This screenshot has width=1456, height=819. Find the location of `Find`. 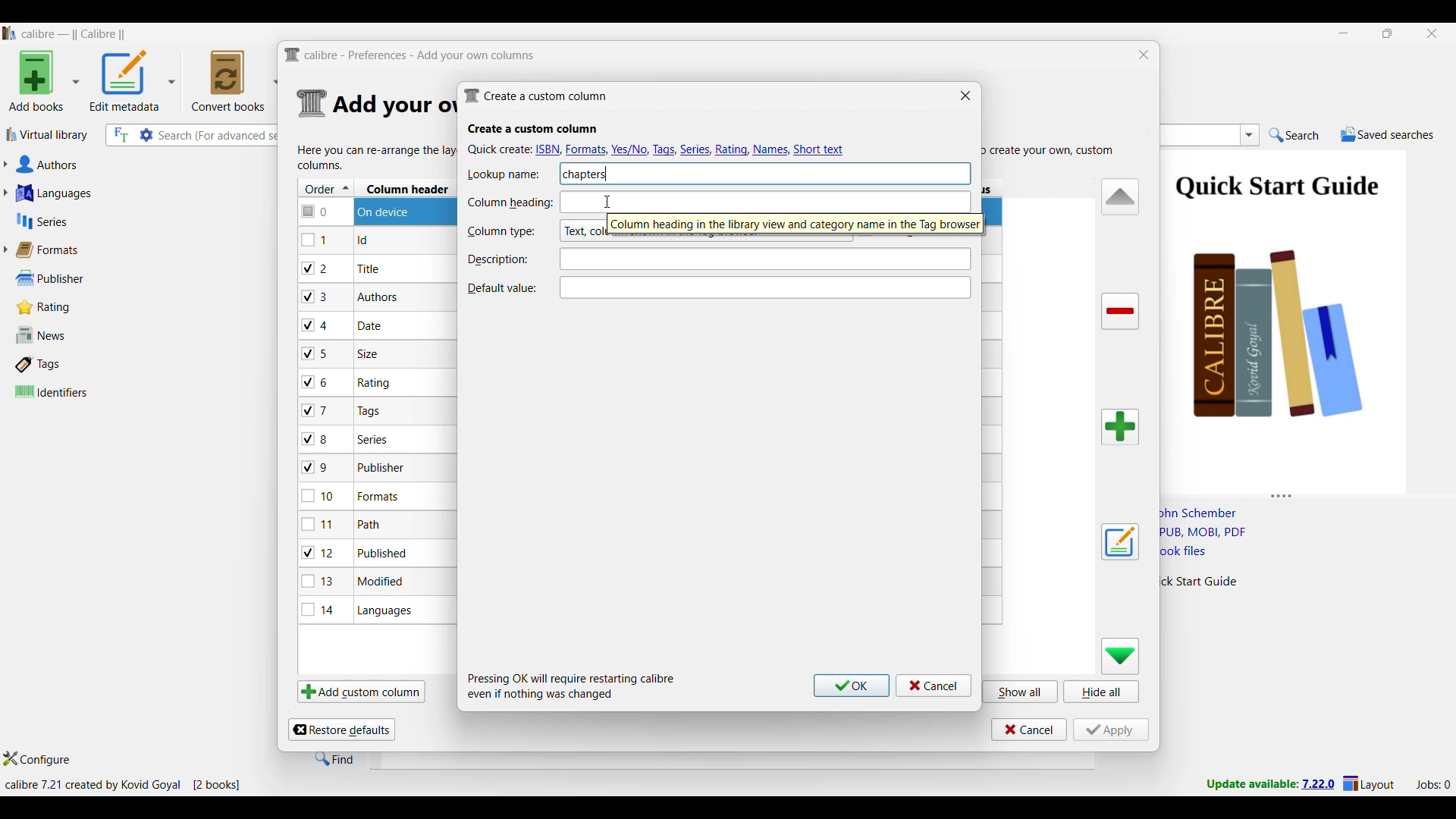

Find is located at coordinates (334, 758).